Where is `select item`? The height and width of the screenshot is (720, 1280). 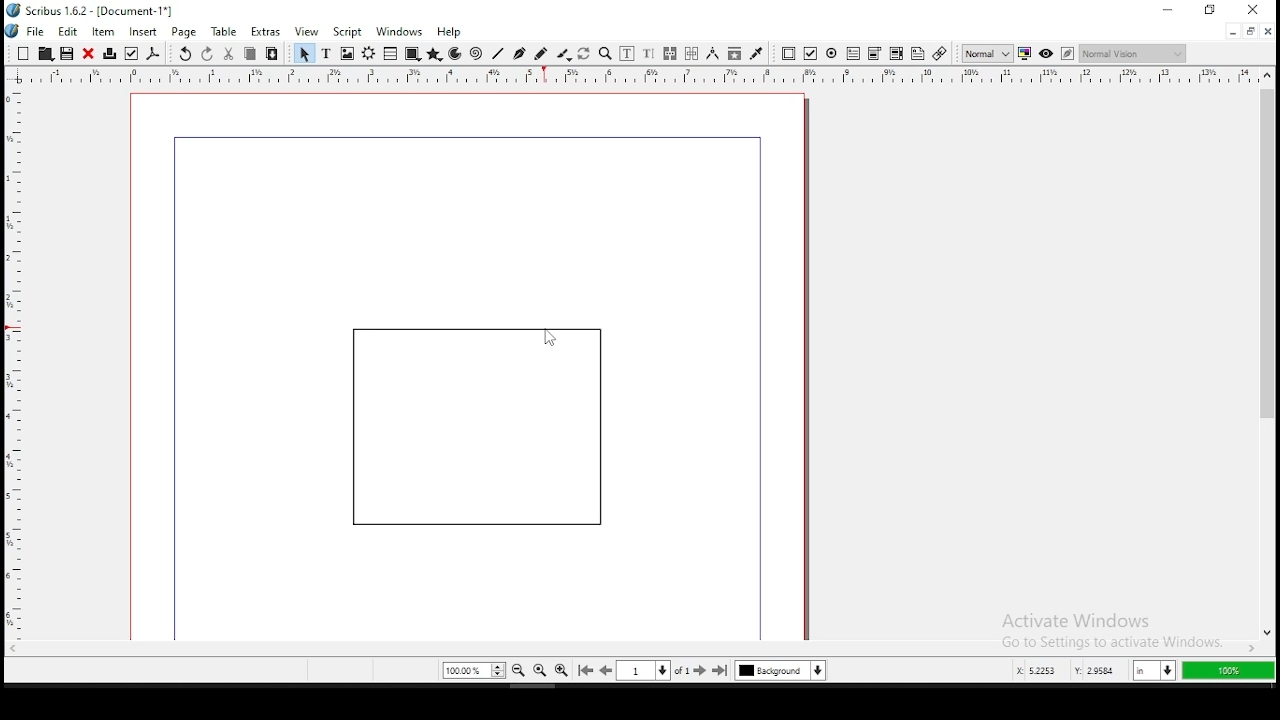 select item is located at coordinates (304, 53).